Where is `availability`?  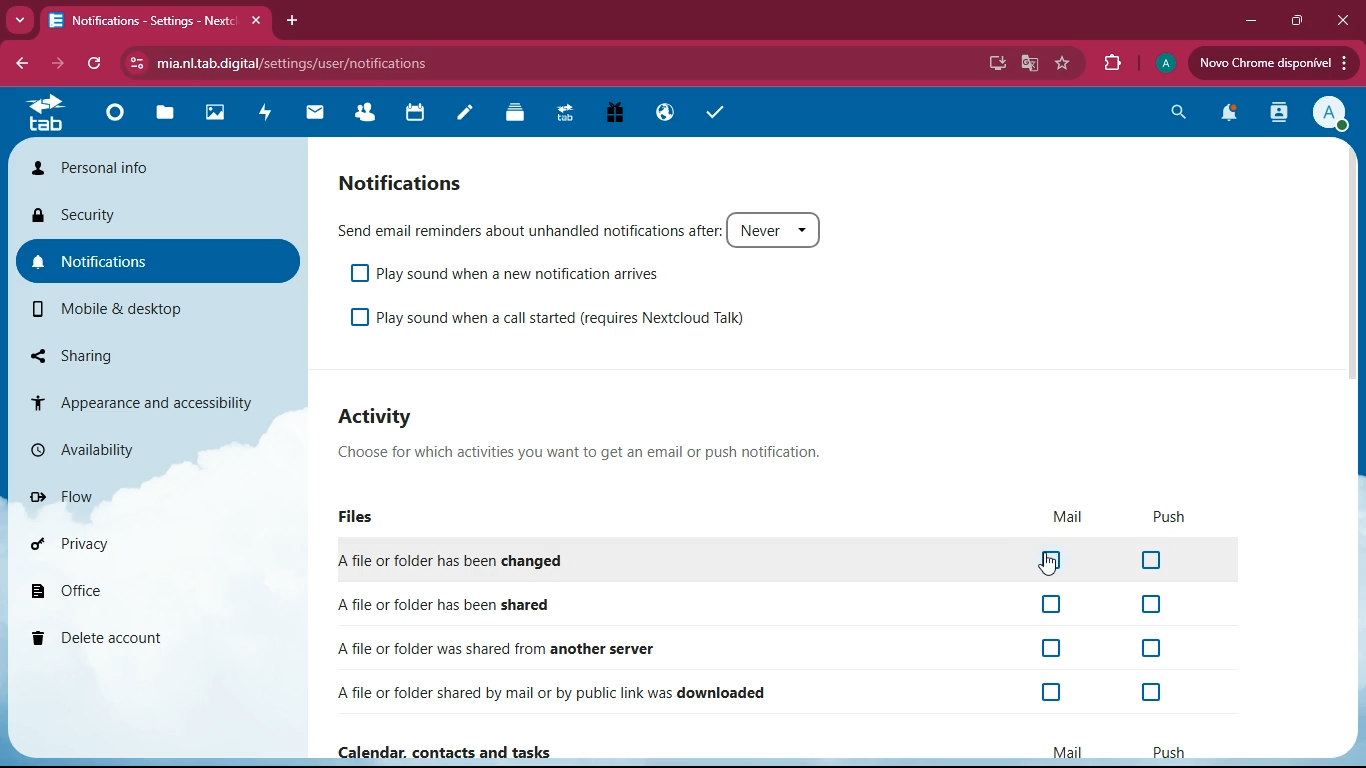
availability is located at coordinates (112, 448).